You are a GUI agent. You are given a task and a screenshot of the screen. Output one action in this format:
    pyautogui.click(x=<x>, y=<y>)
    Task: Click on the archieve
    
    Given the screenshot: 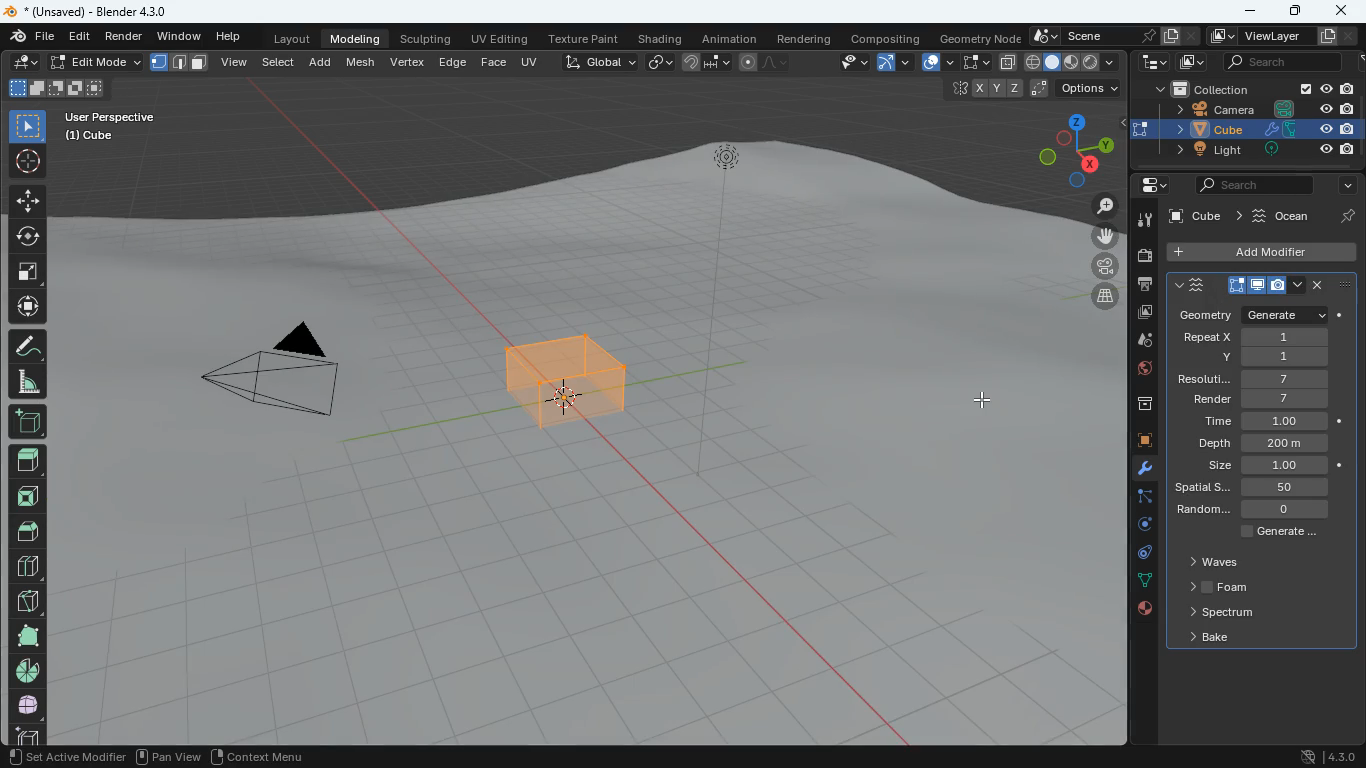 What is the action you would take?
    pyautogui.click(x=1137, y=406)
    